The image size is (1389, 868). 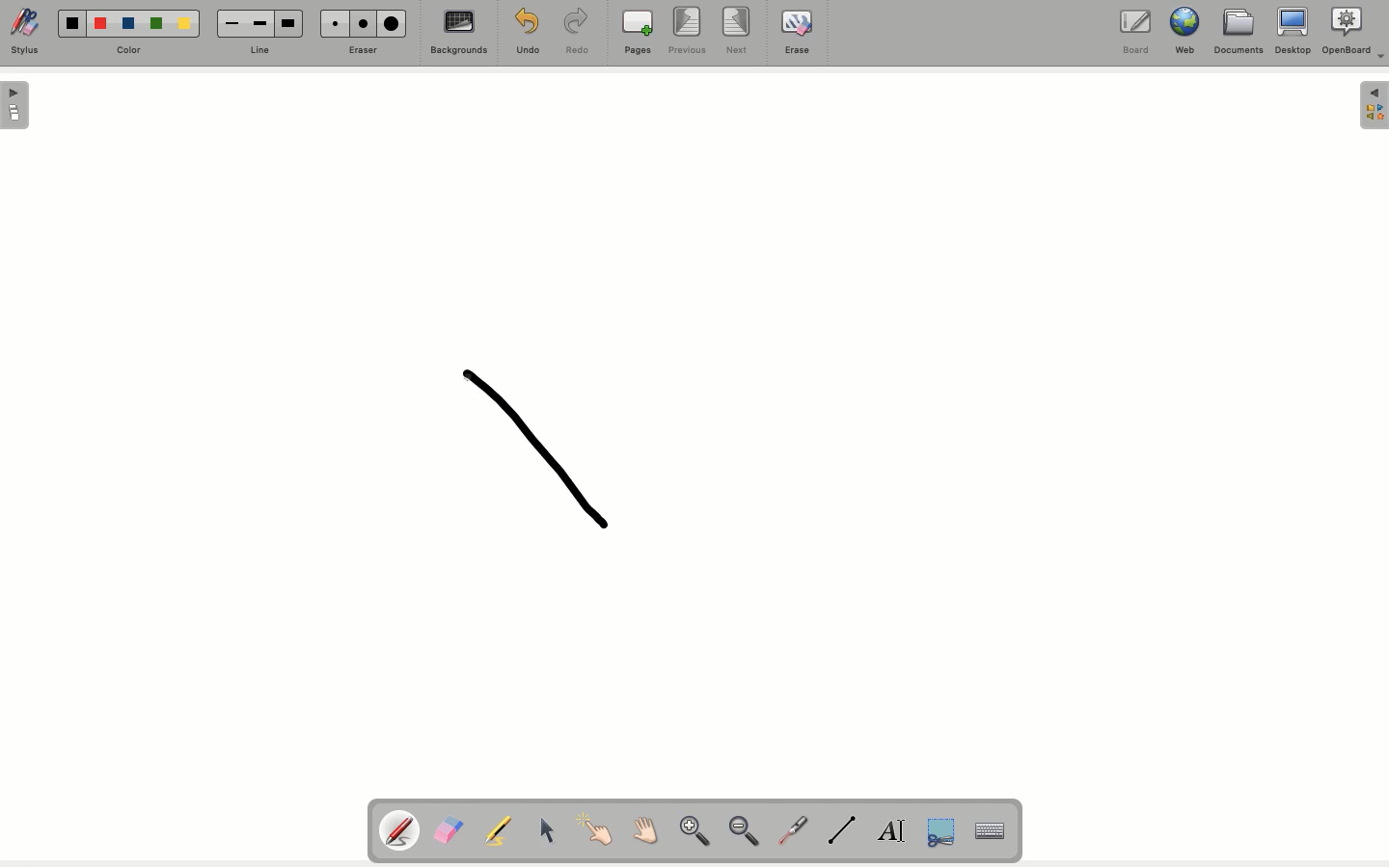 I want to click on Pen, so click(x=401, y=829).